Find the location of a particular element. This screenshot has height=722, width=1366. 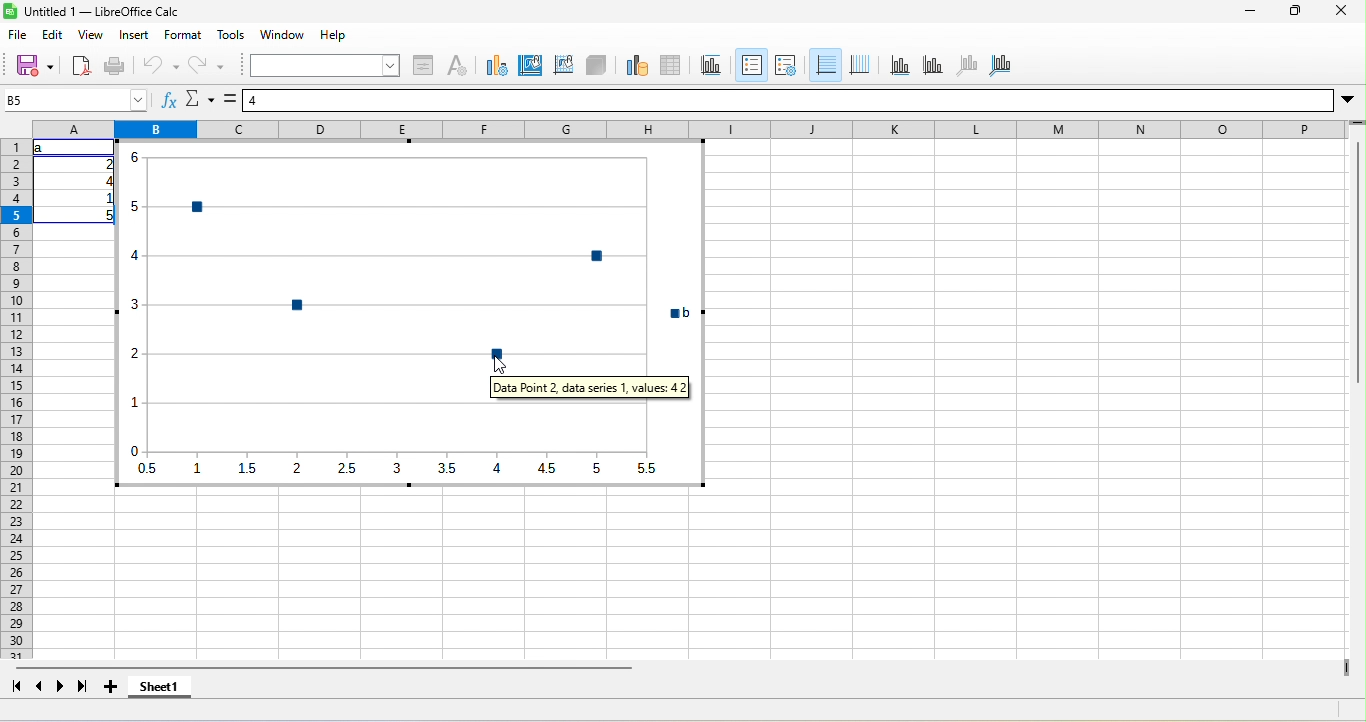

horizontal scroll bar is located at coordinates (323, 668).